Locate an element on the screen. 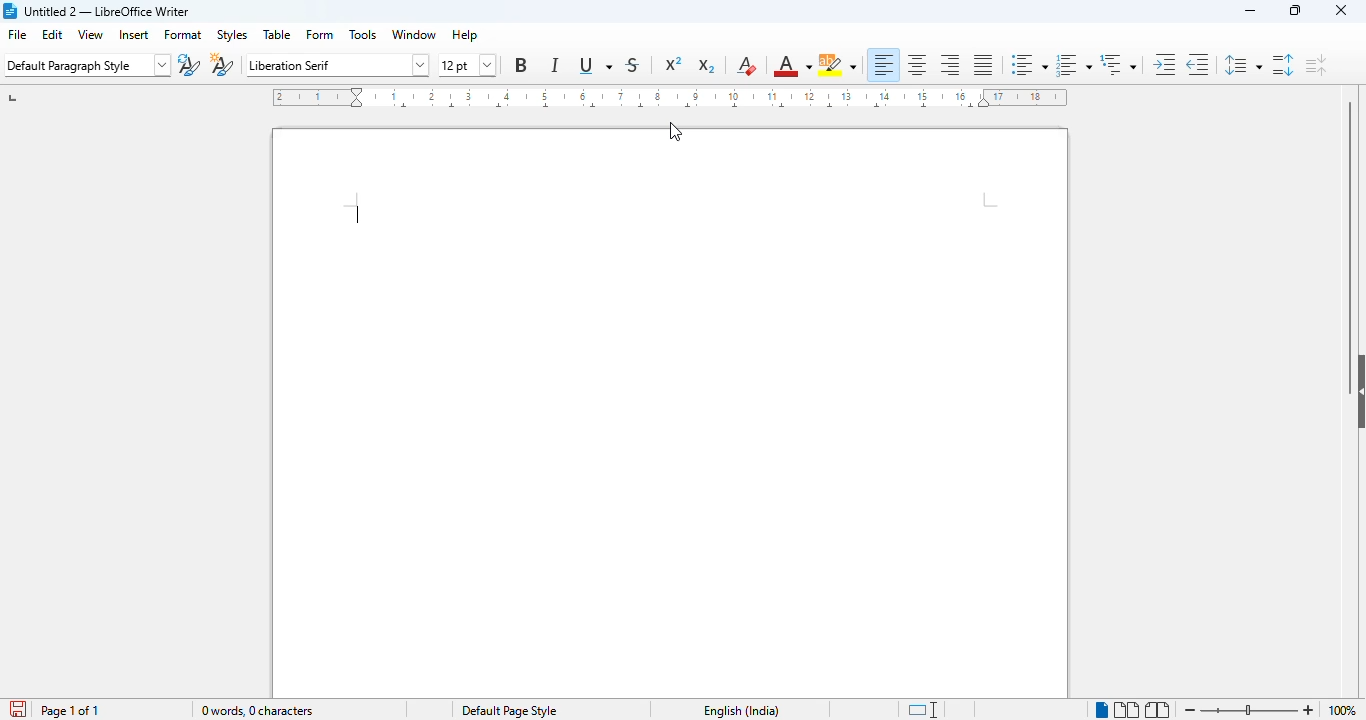 The image size is (1366, 720). font color is located at coordinates (792, 66).